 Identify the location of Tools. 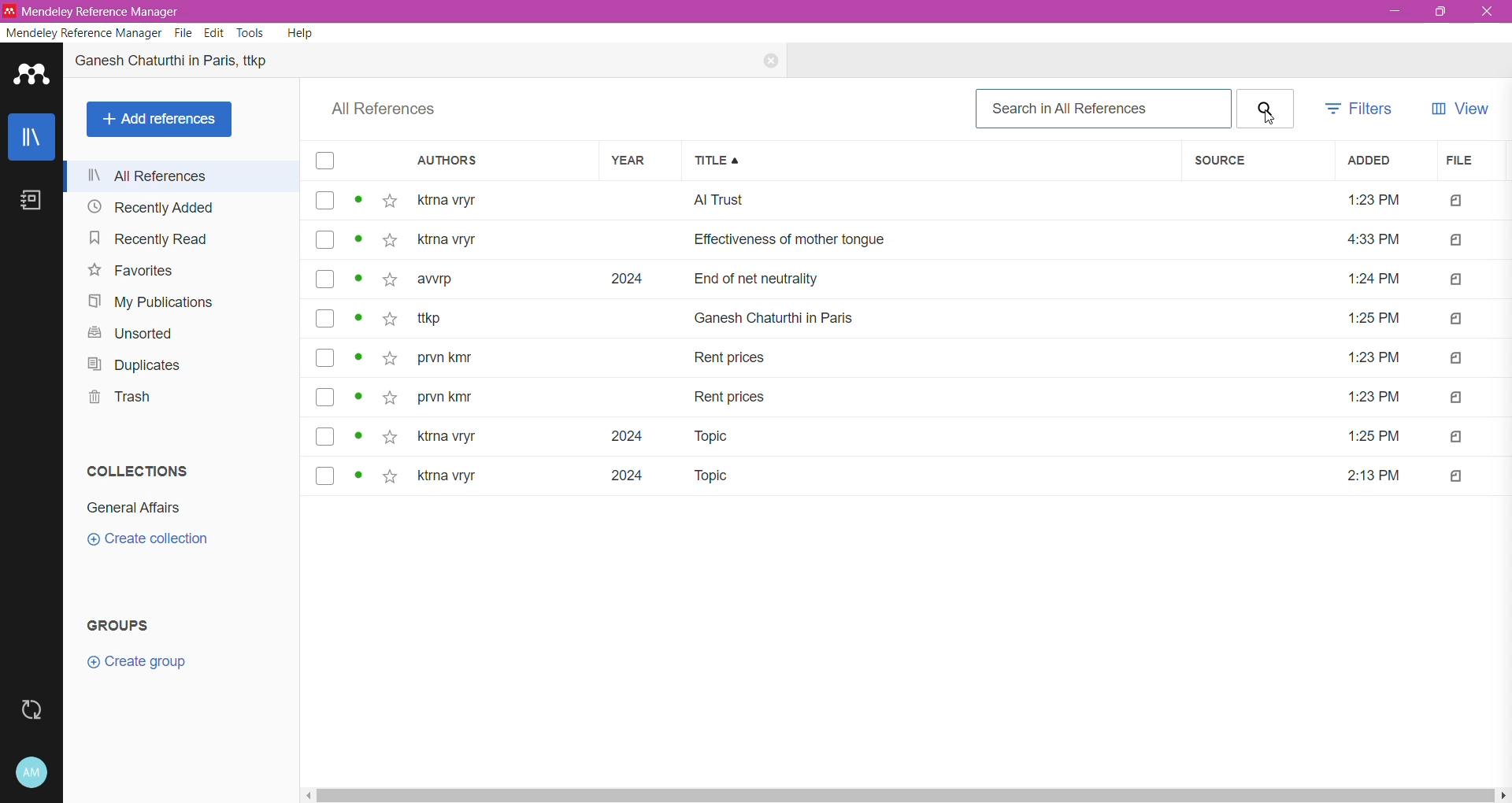
(251, 33).